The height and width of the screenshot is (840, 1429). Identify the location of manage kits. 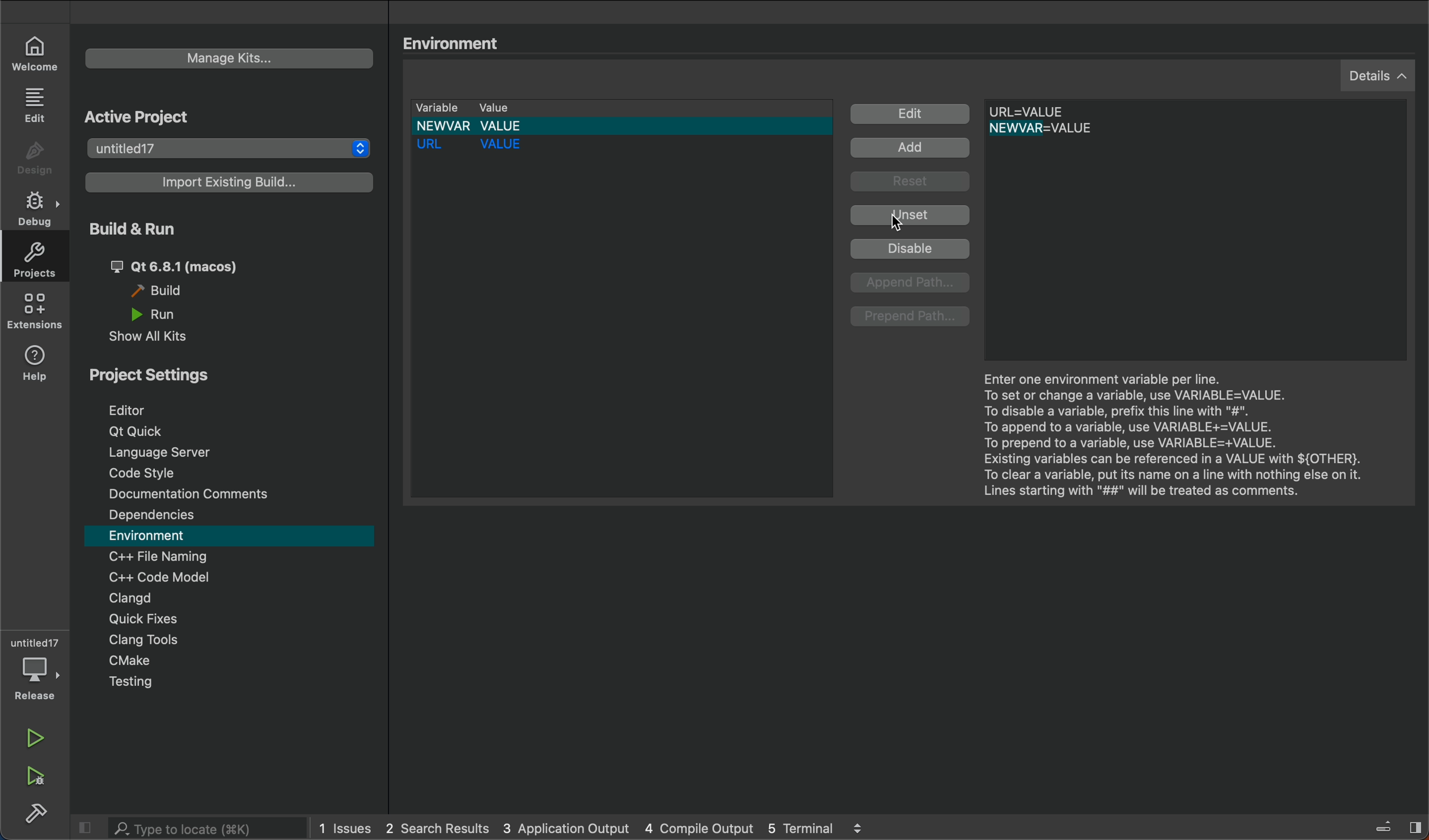
(209, 59).